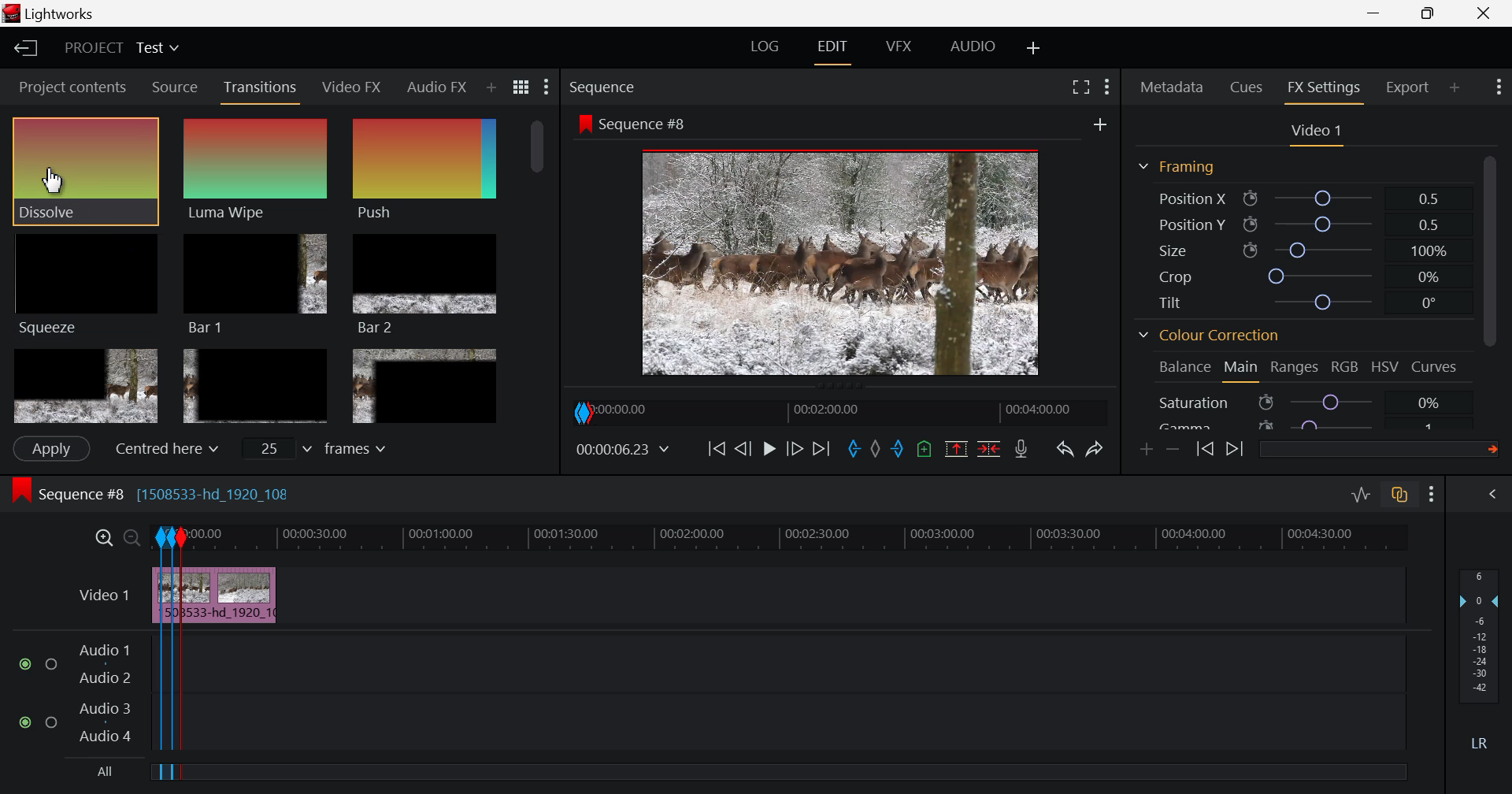 The image size is (1512, 794). Describe the element at coordinates (1173, 451) in the screenshot. I see `Remove keyframe` at that location.